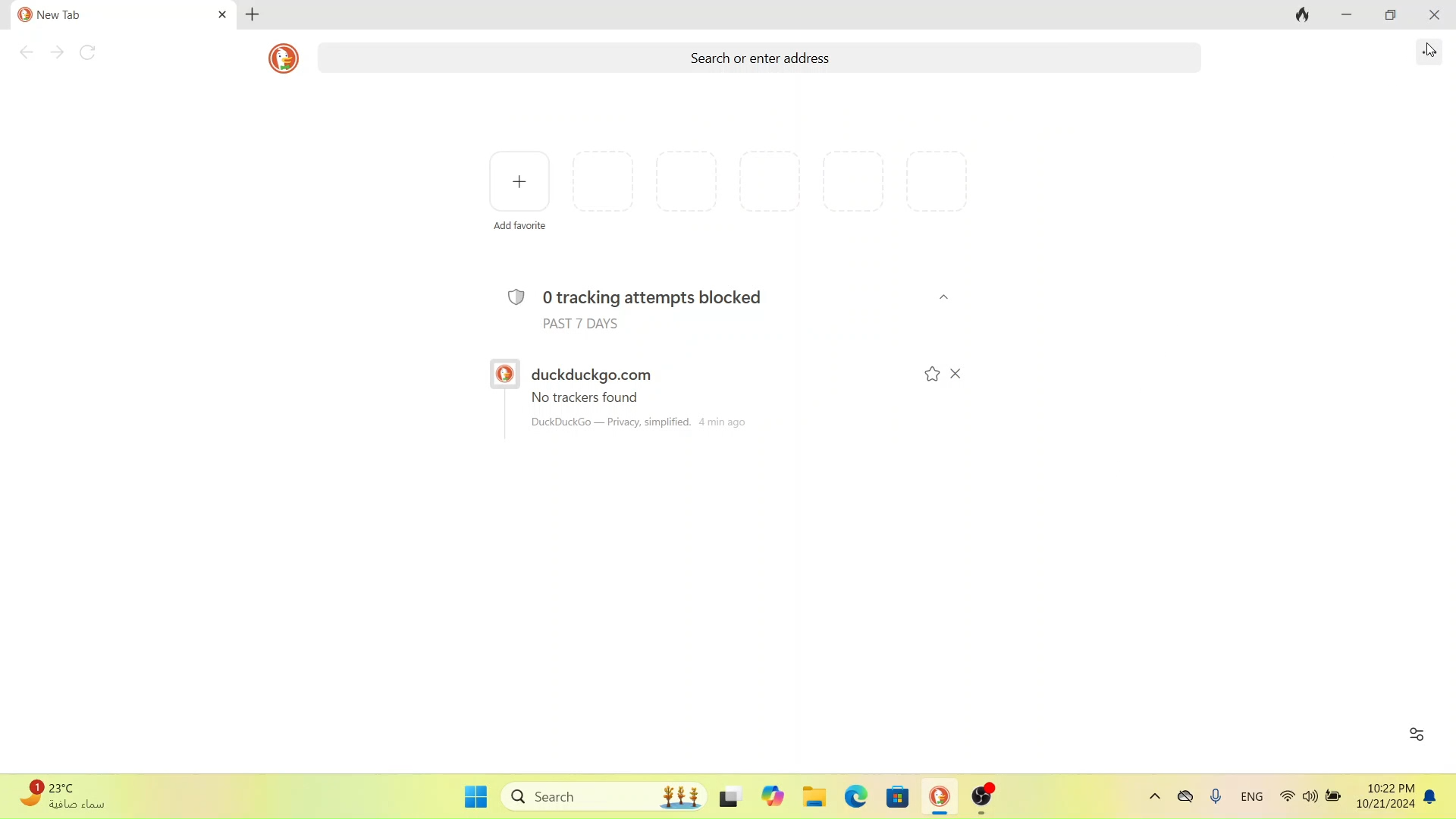 The height and width of the screenshot is (819, 1456). Describe the element at coordinates (771, 797) in the screenshot. I see `` at that location.